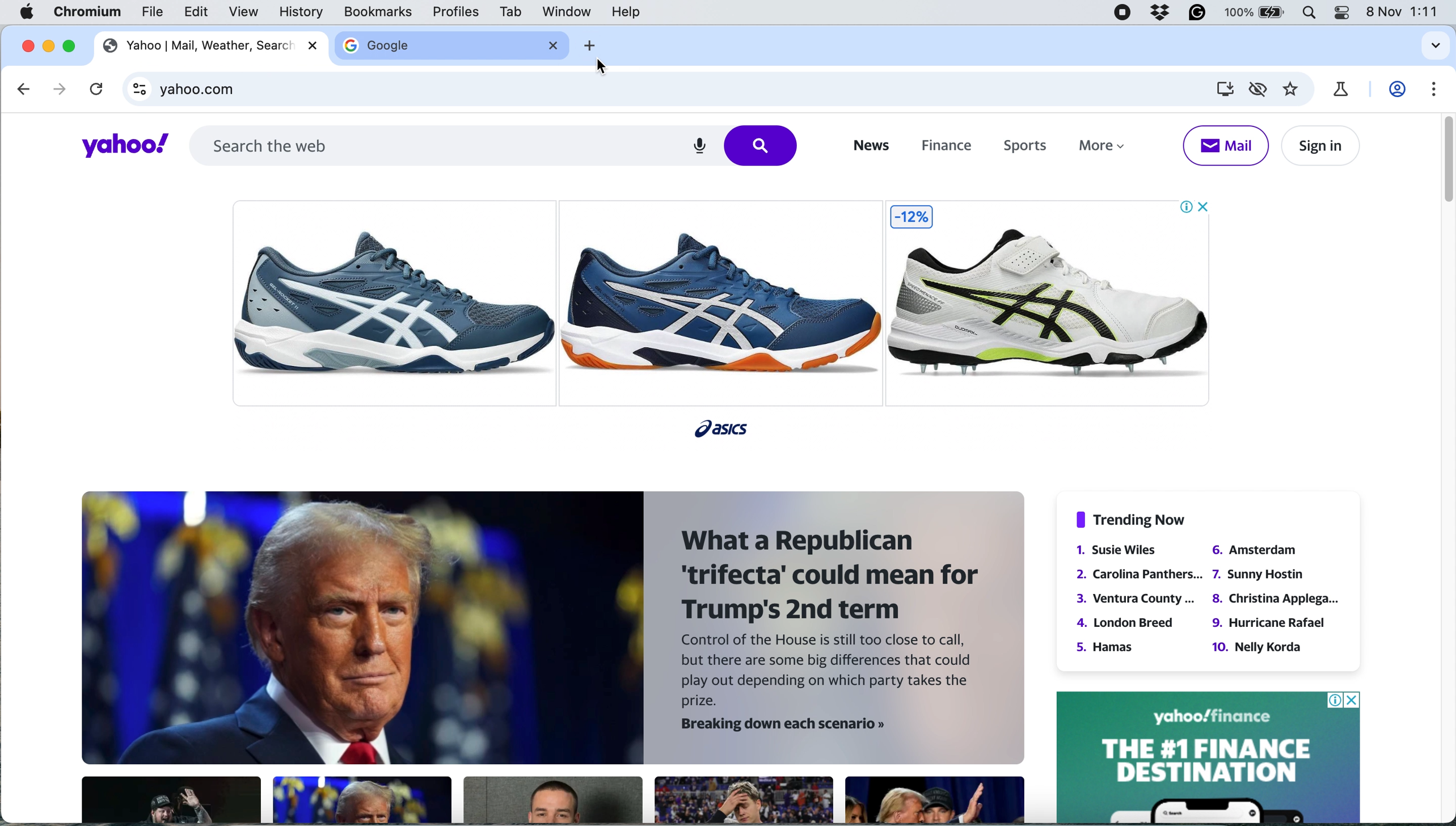 This screenshot has height=826, width=1456. Describe the element at coordinates (25, 89) in the screenshot. I see `go back` at that location.